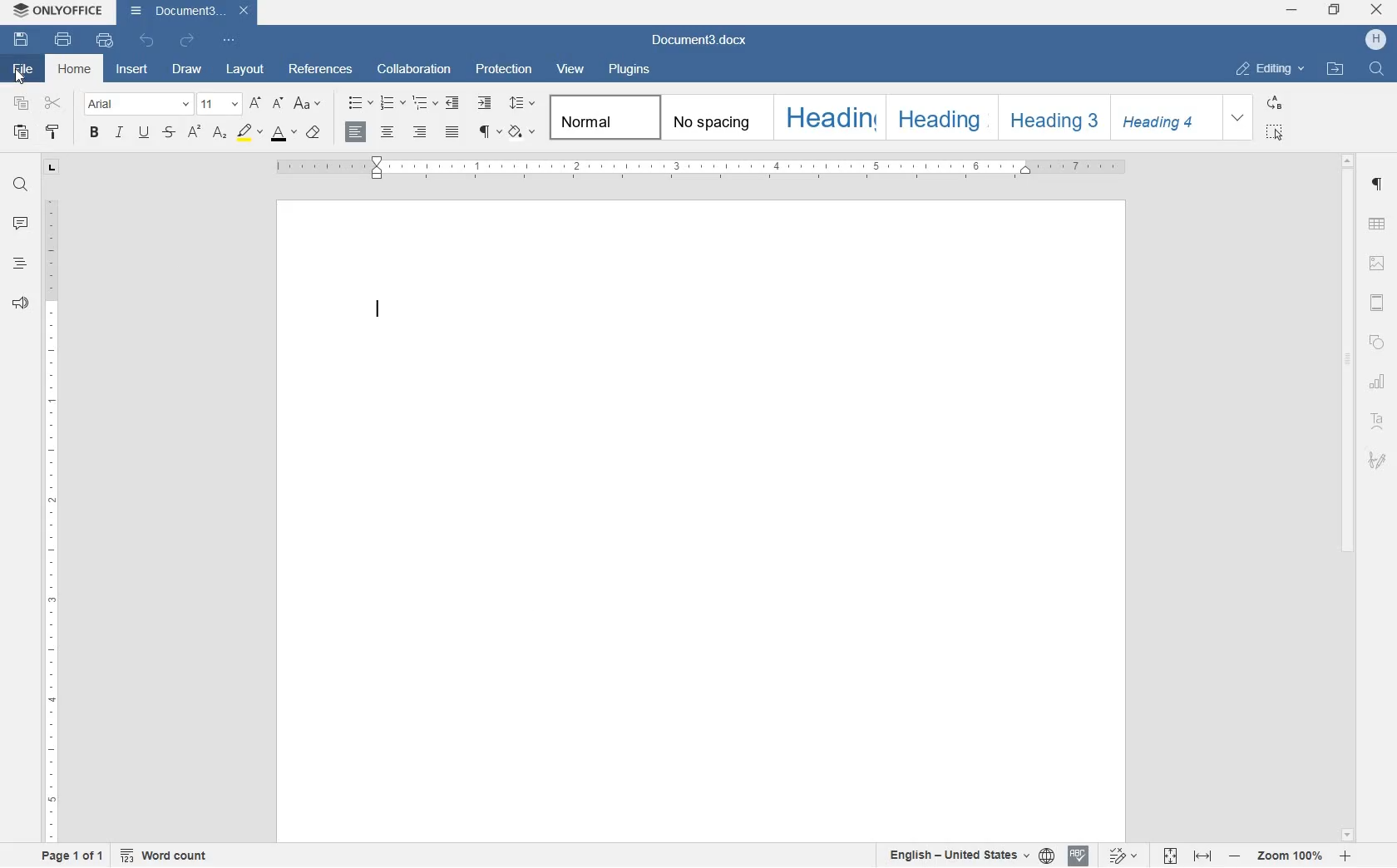 This screenshot has height=868, width=1397. What do you see at coordinates (219, 134) in the screenshot?
I see `subscript` at bounding box center [219, 134].